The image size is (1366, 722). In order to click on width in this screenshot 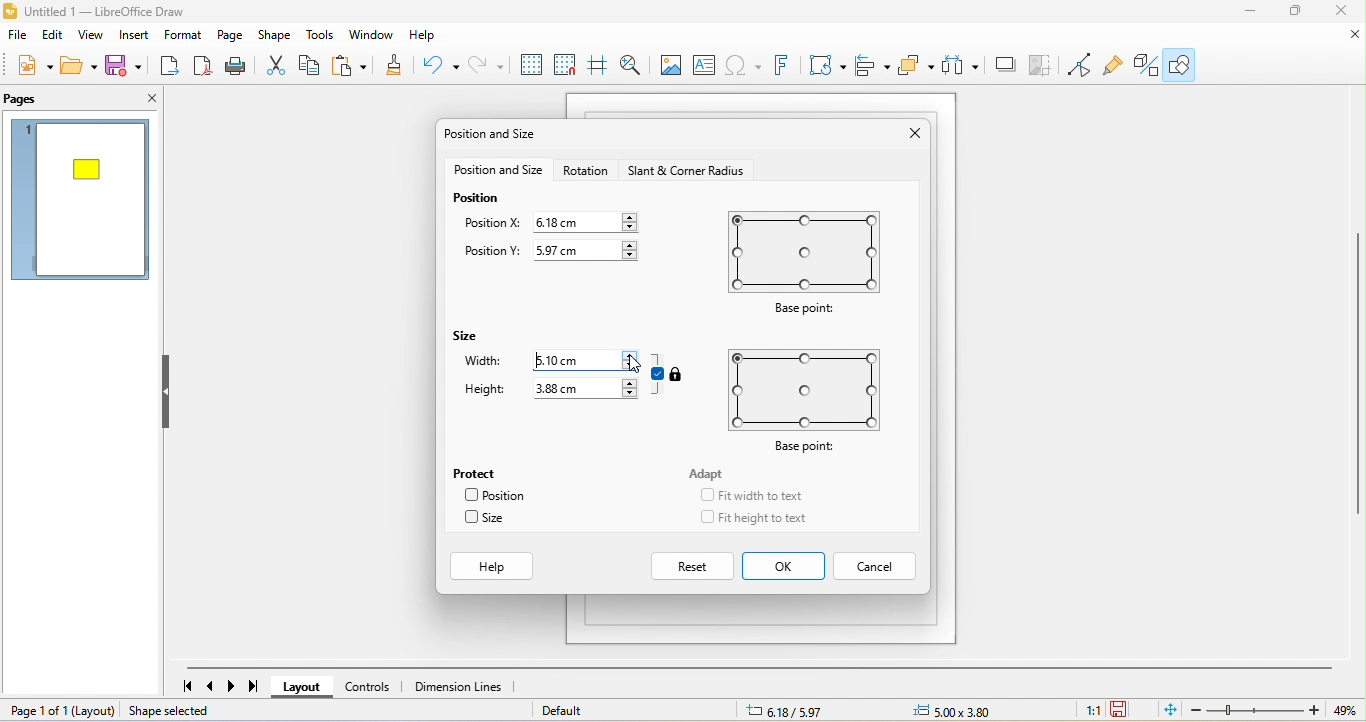, I will do `click(482, 364)`.